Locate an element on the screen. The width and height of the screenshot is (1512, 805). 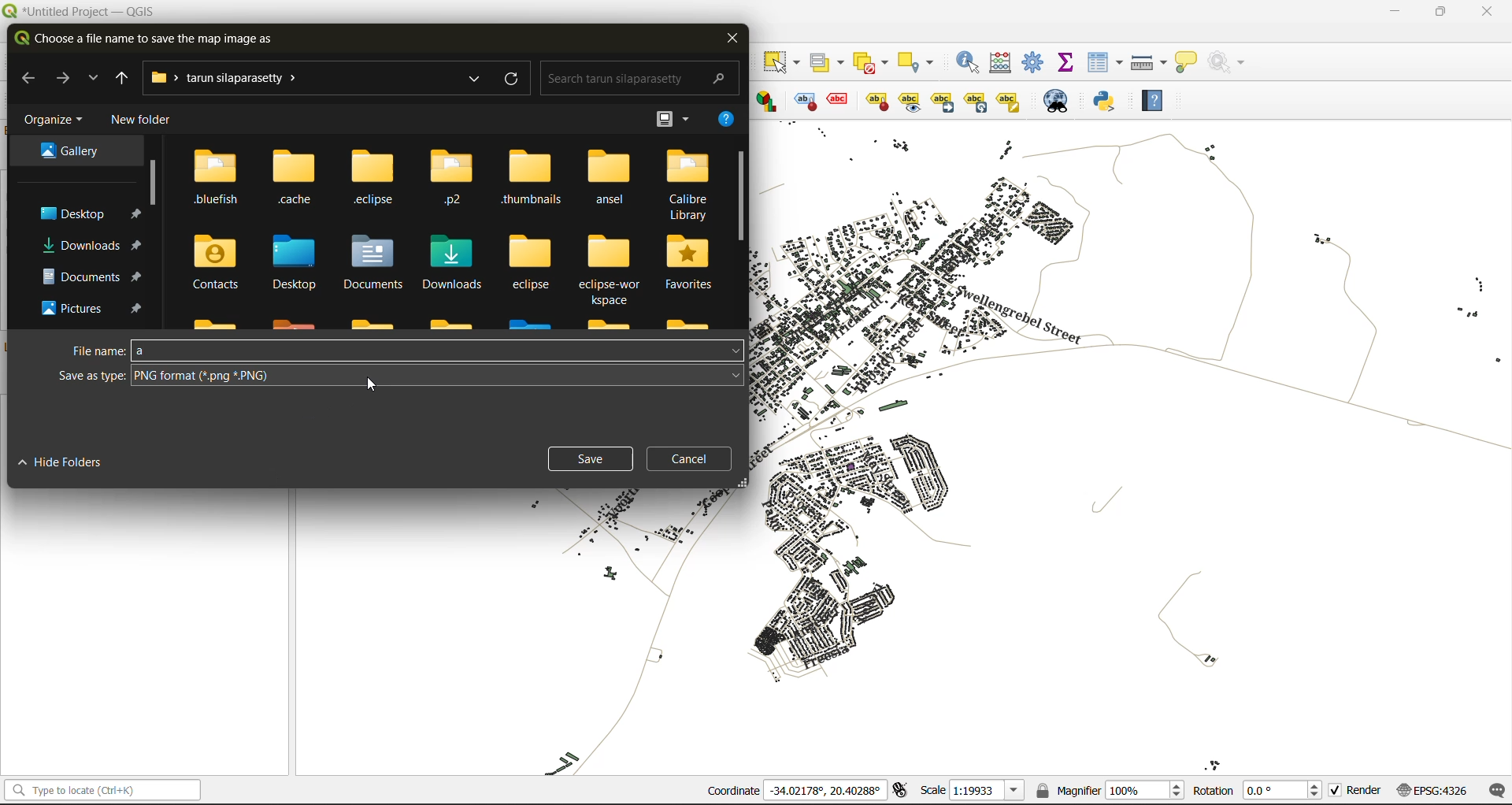
magnifier is located at coordinates (1110, 788).